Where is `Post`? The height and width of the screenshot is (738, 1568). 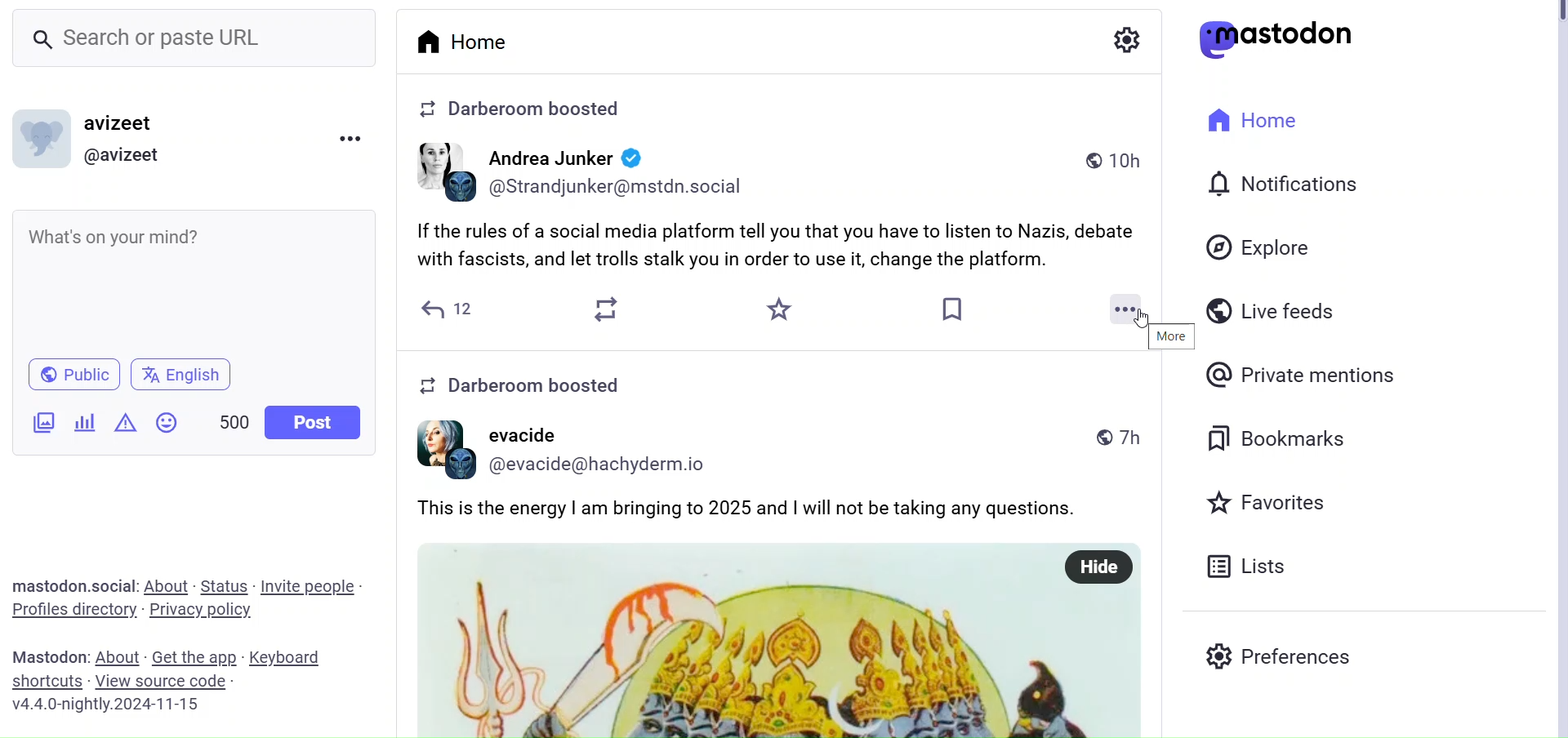
Post is located at coordinates (315, 422).